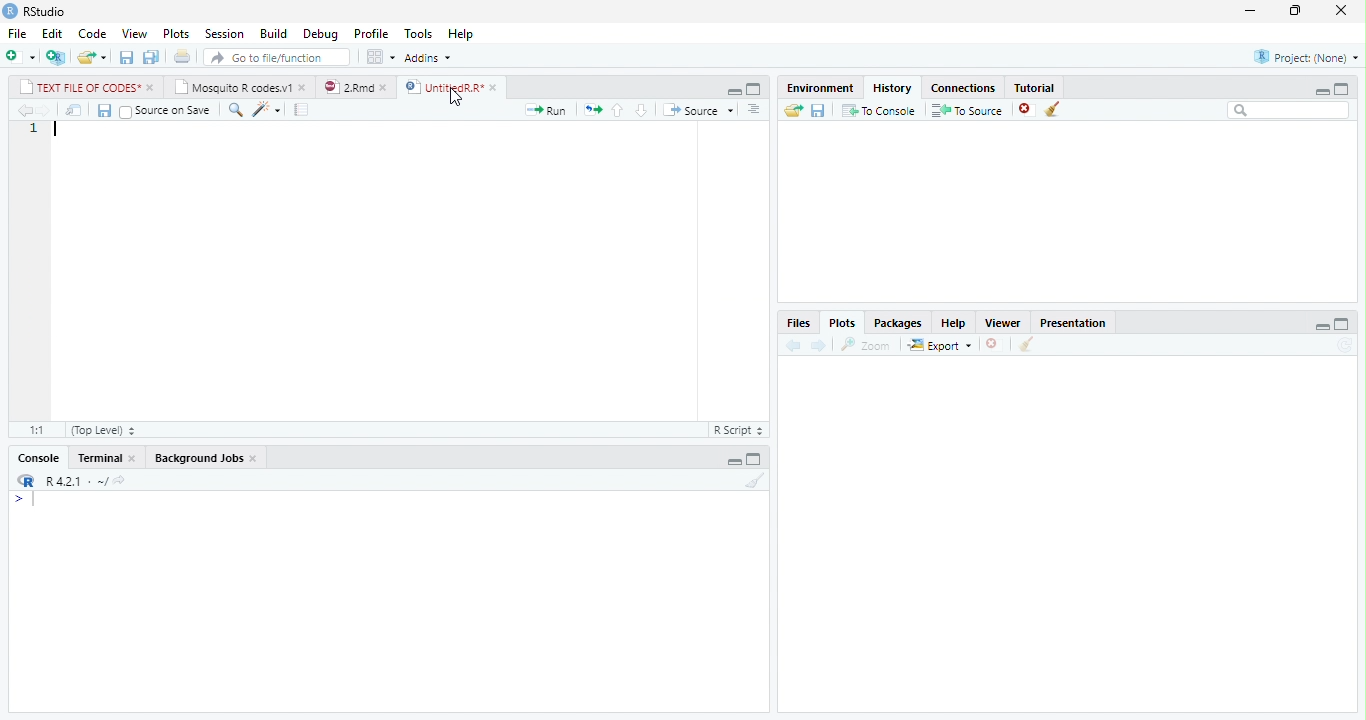  Describe the element at coordinates (92, 57) in the screenshot. I see `open file` at that location.